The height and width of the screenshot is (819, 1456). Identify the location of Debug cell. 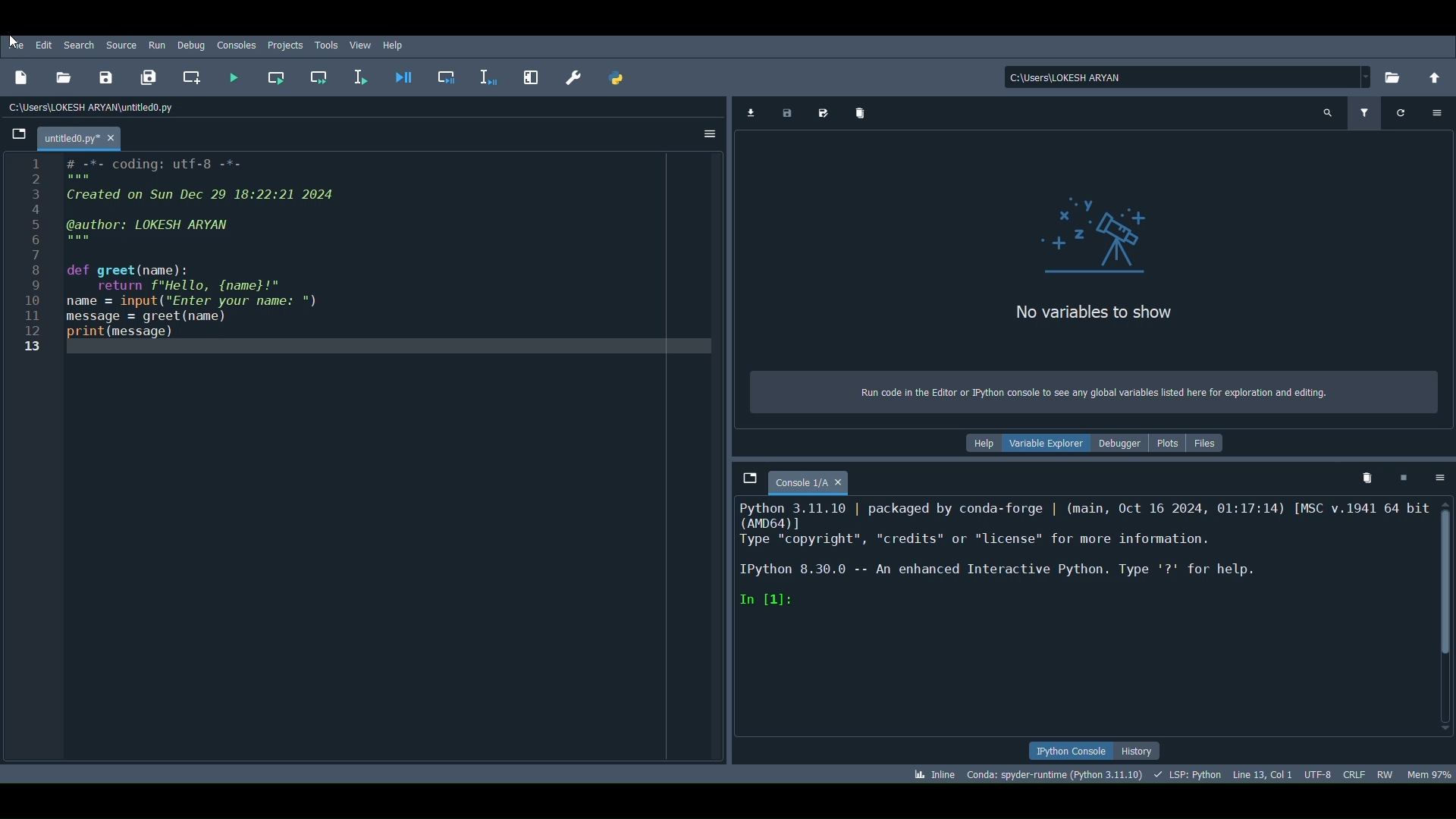
(447, 76).